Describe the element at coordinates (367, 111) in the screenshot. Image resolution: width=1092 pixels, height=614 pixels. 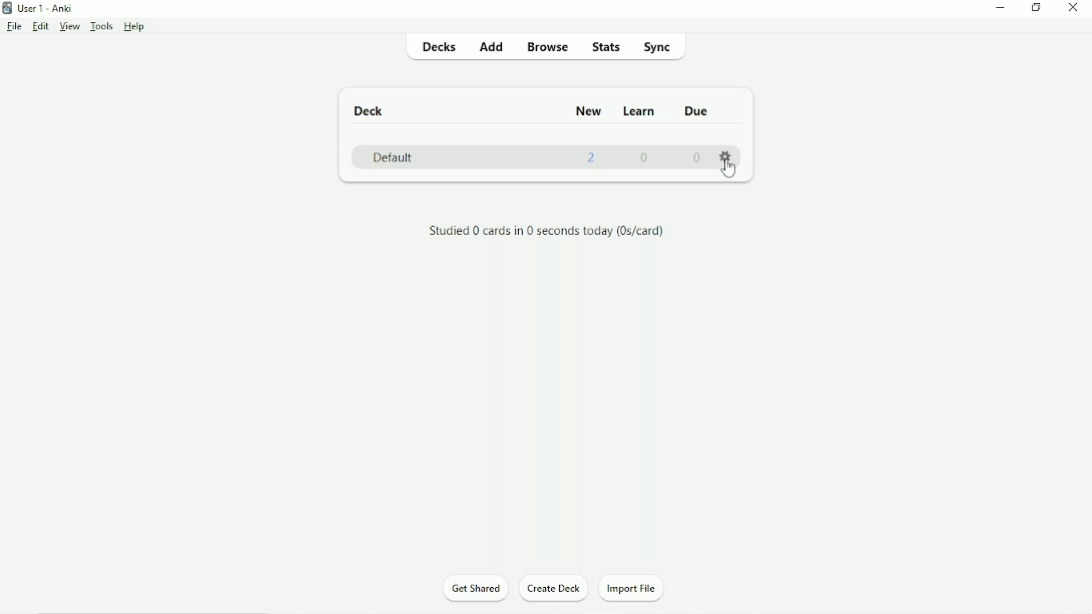
I see `Deck` at that location.